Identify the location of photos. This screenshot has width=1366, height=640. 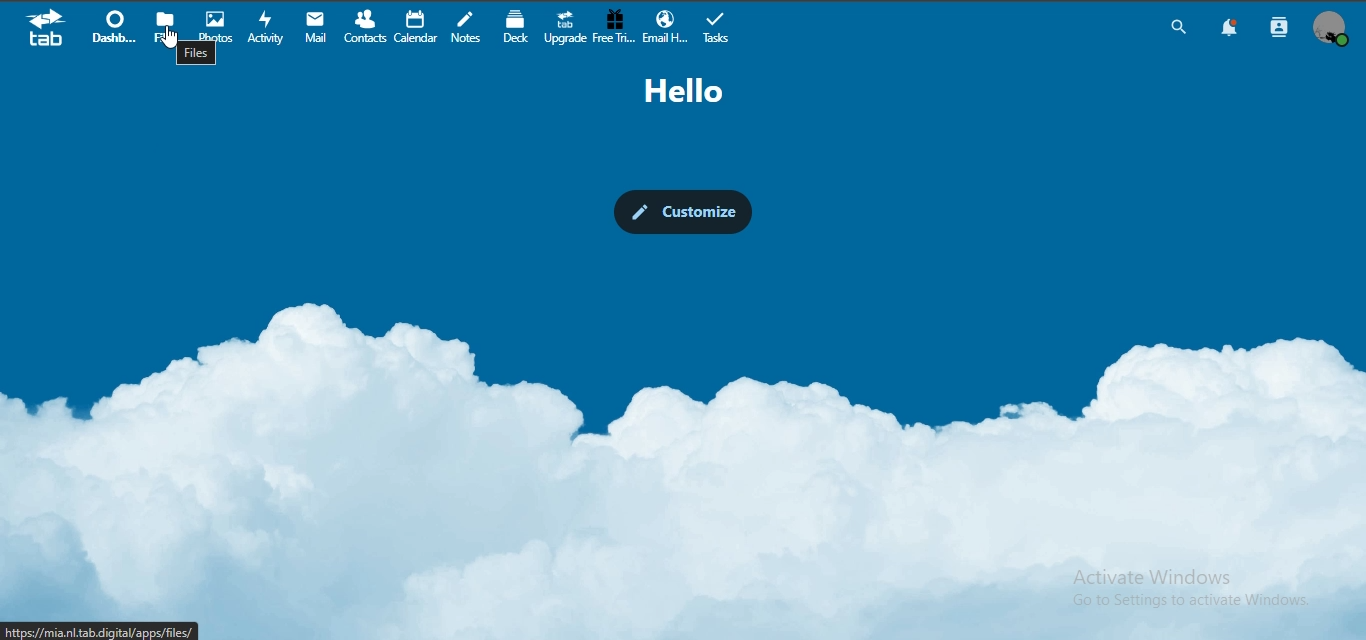
(219, 25).